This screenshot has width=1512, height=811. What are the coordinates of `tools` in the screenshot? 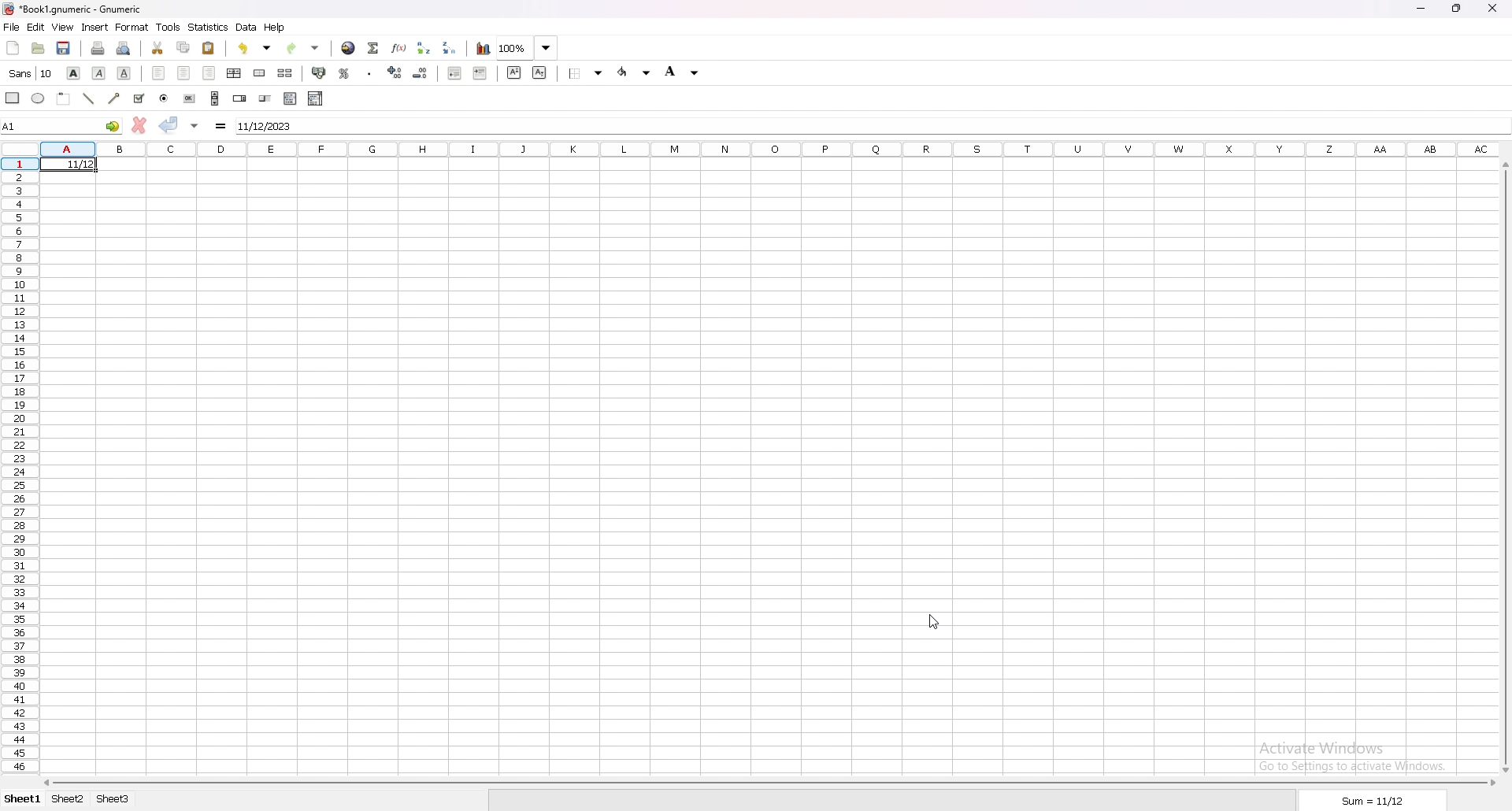 It's located at (168, 28).